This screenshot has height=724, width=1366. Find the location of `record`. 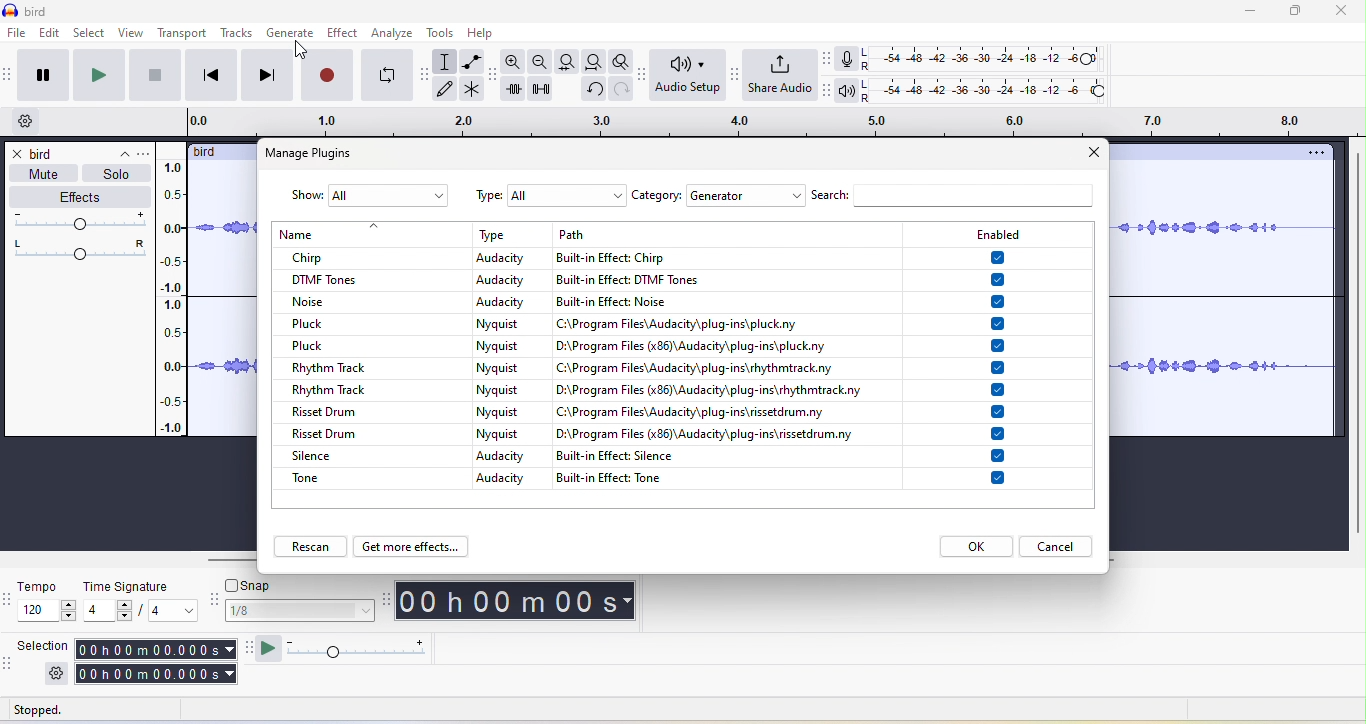

record is located at coordinates (324, 77).